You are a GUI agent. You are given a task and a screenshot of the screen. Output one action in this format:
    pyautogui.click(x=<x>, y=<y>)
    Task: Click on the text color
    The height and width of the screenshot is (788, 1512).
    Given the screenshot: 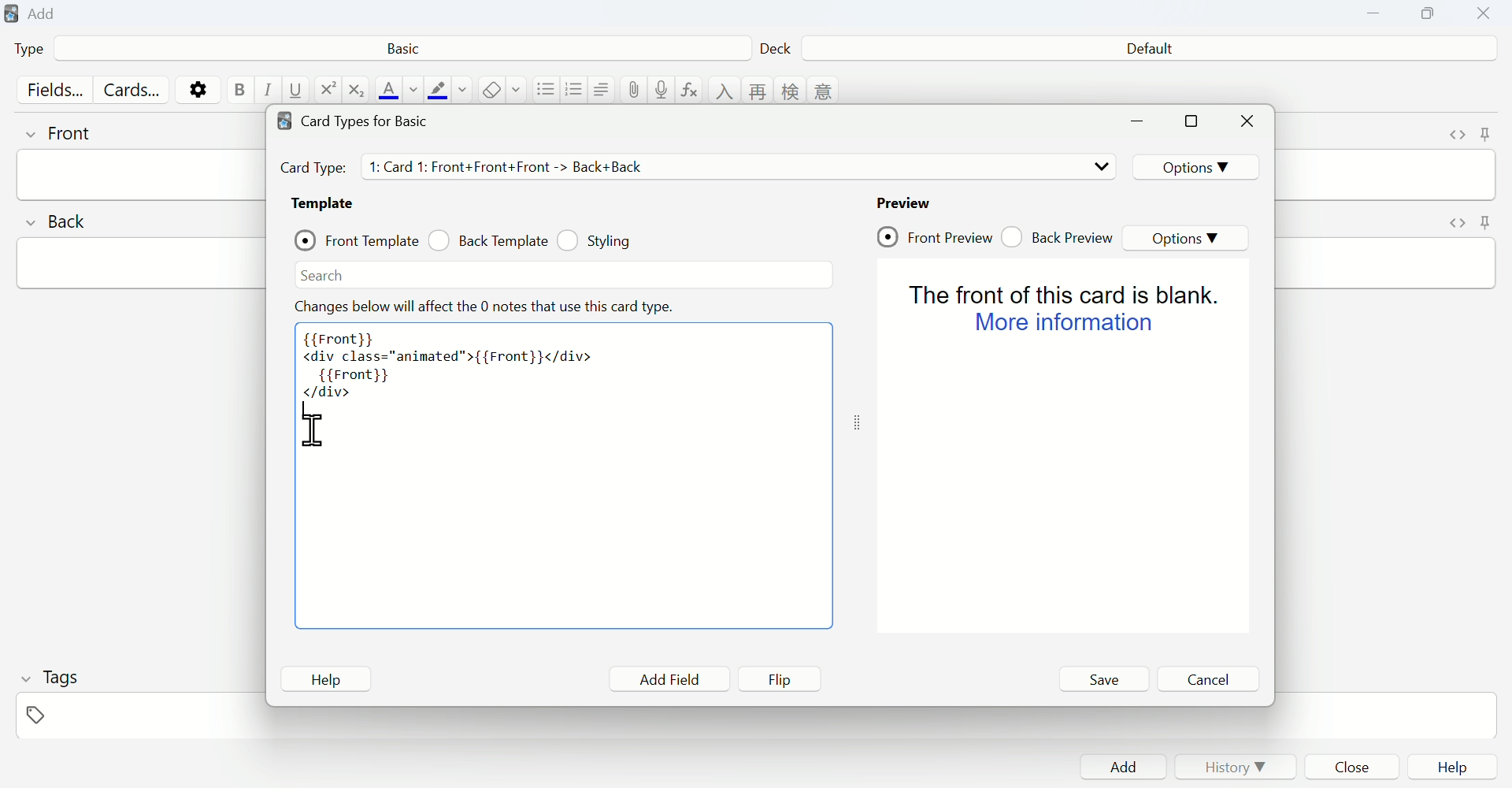 What is the action you would take?
    pyautogui.click(x=389, y=90)
    